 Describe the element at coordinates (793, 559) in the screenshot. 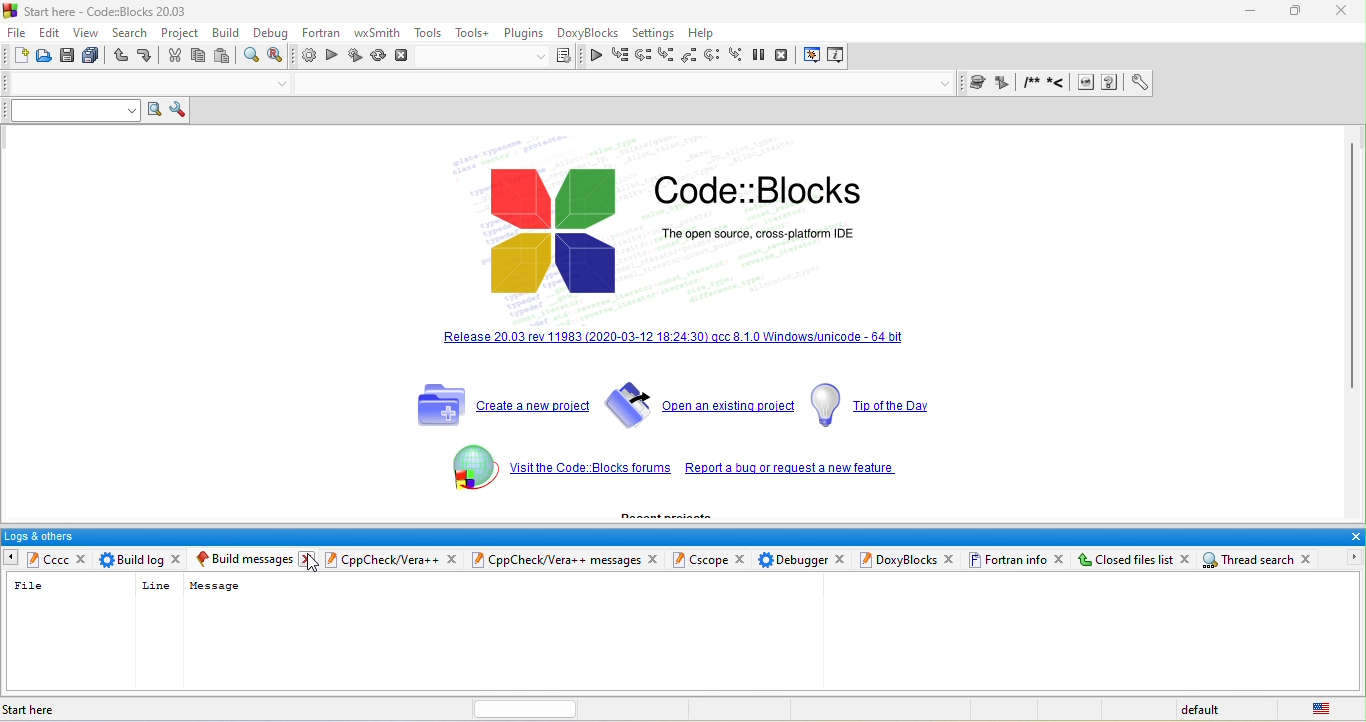

I see `debugger` at that location.